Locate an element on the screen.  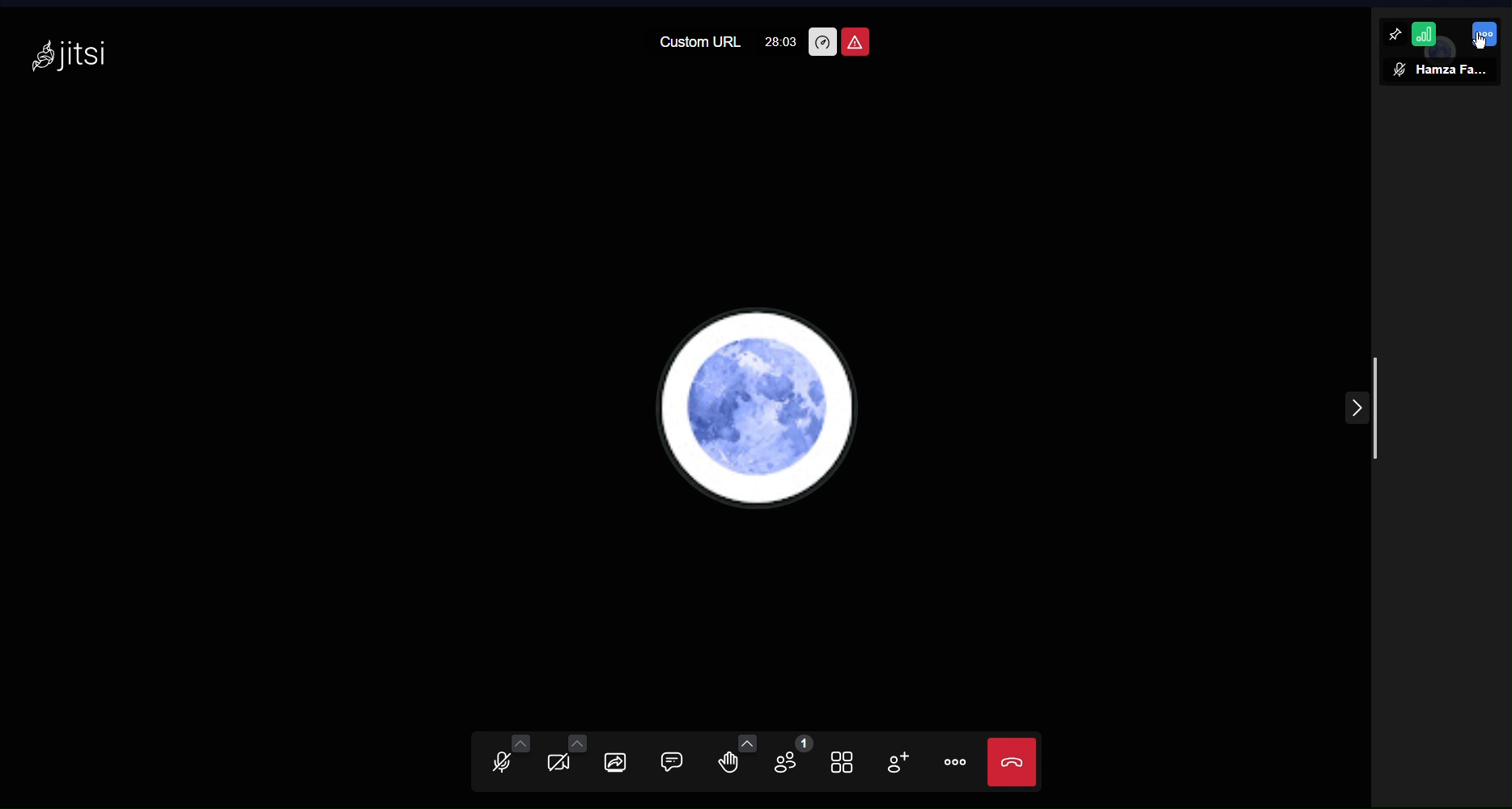
Chat is located at coordinates (684, 761).